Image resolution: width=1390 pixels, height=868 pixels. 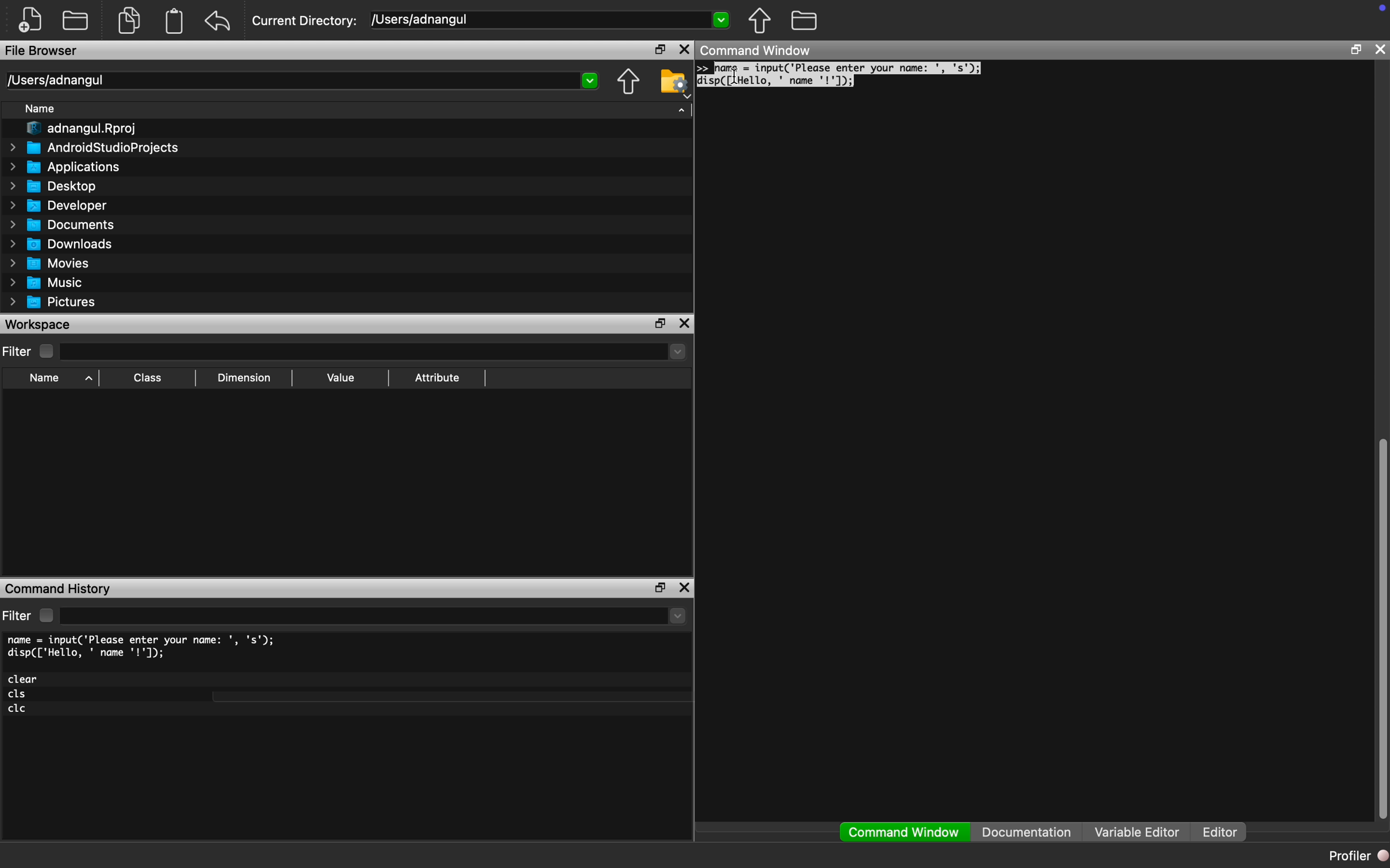 I want to click on maximize, so click(x=658, y=48).